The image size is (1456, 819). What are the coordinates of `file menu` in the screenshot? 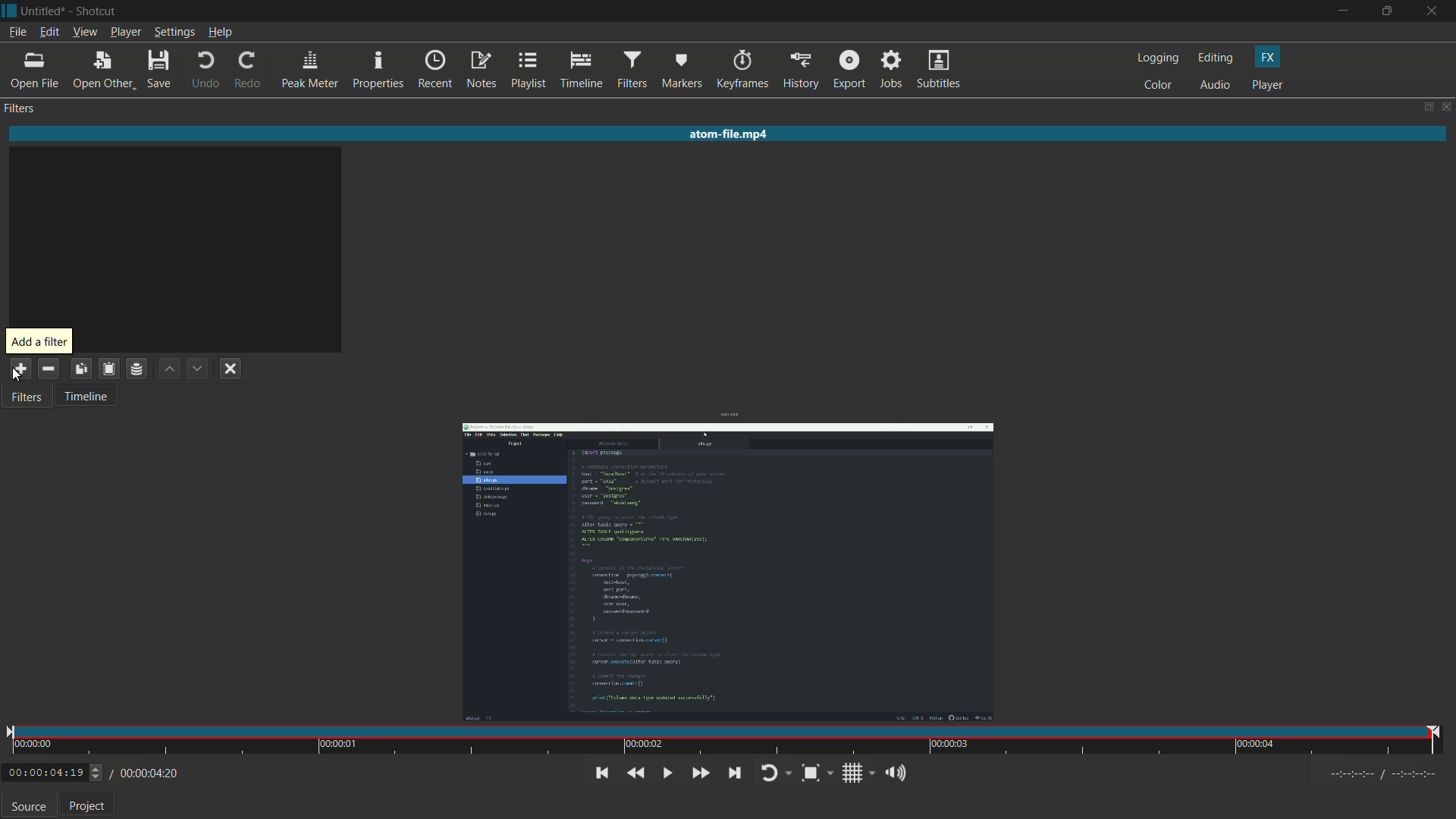 It's located at (17, 34).